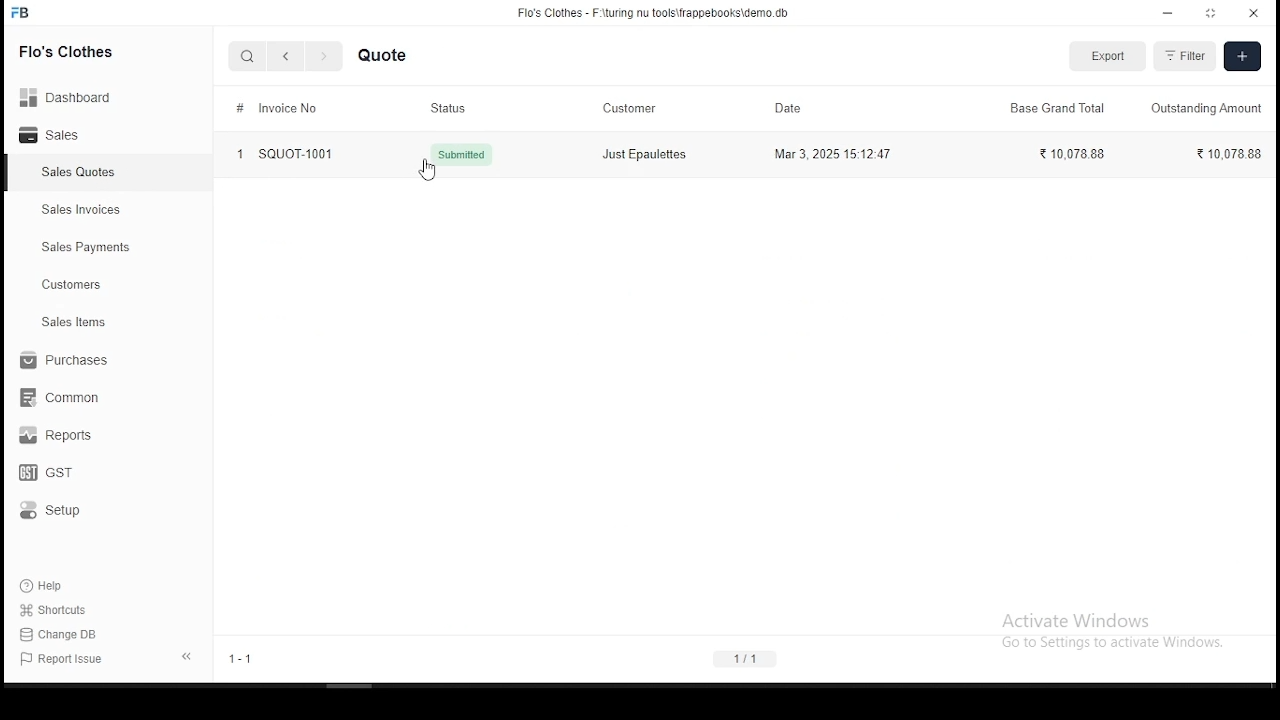 The width and height of the screenshot is (1280, 720). What do you see at coordinates (247, 55) in the screenshot?
I see `search` at bounding box center [247, 55].